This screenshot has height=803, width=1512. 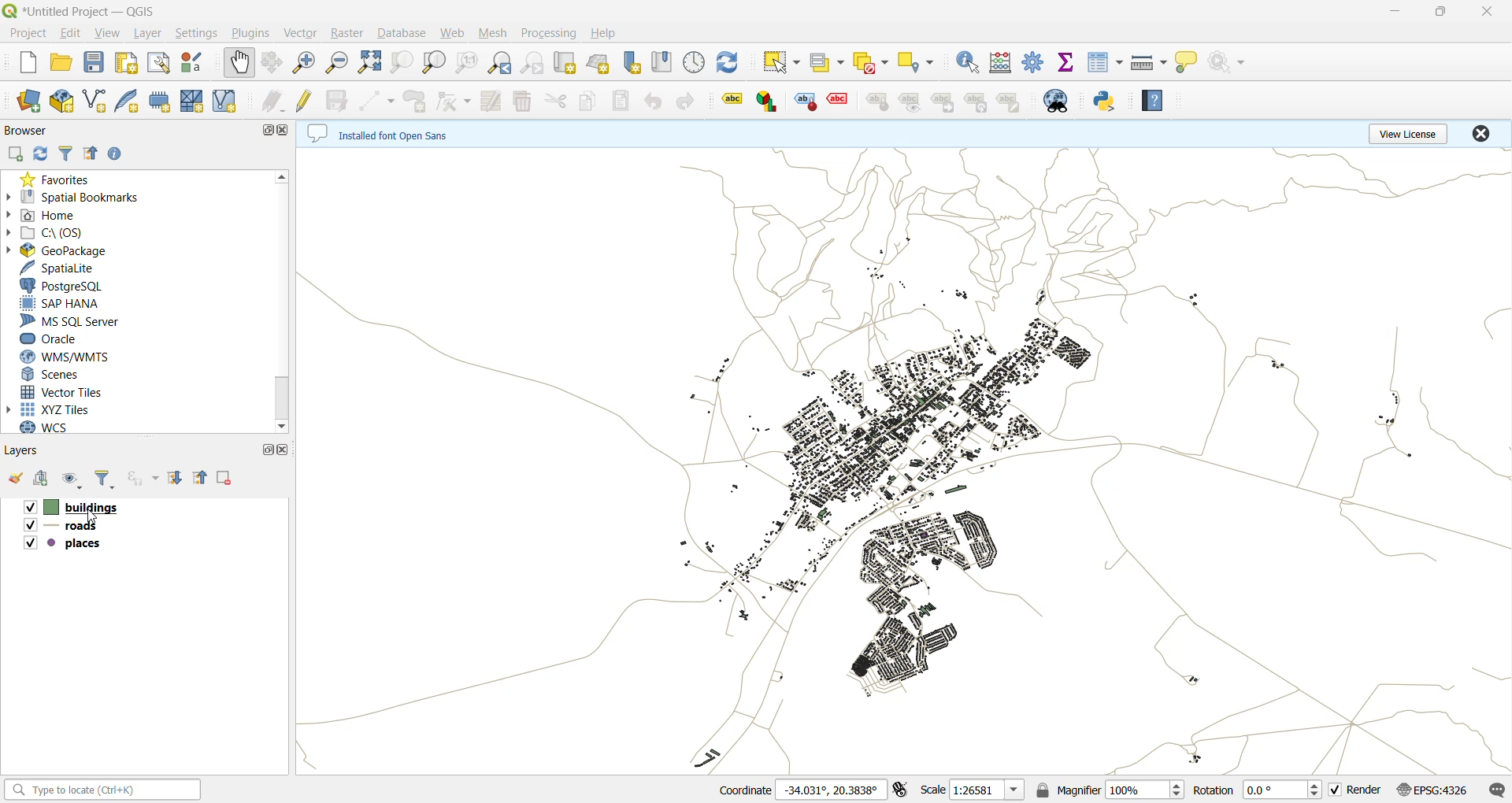 What do you see at coordinates (1014, 102) in the screenshot?
I see `change label properties` at bounding box center [1014, 102].